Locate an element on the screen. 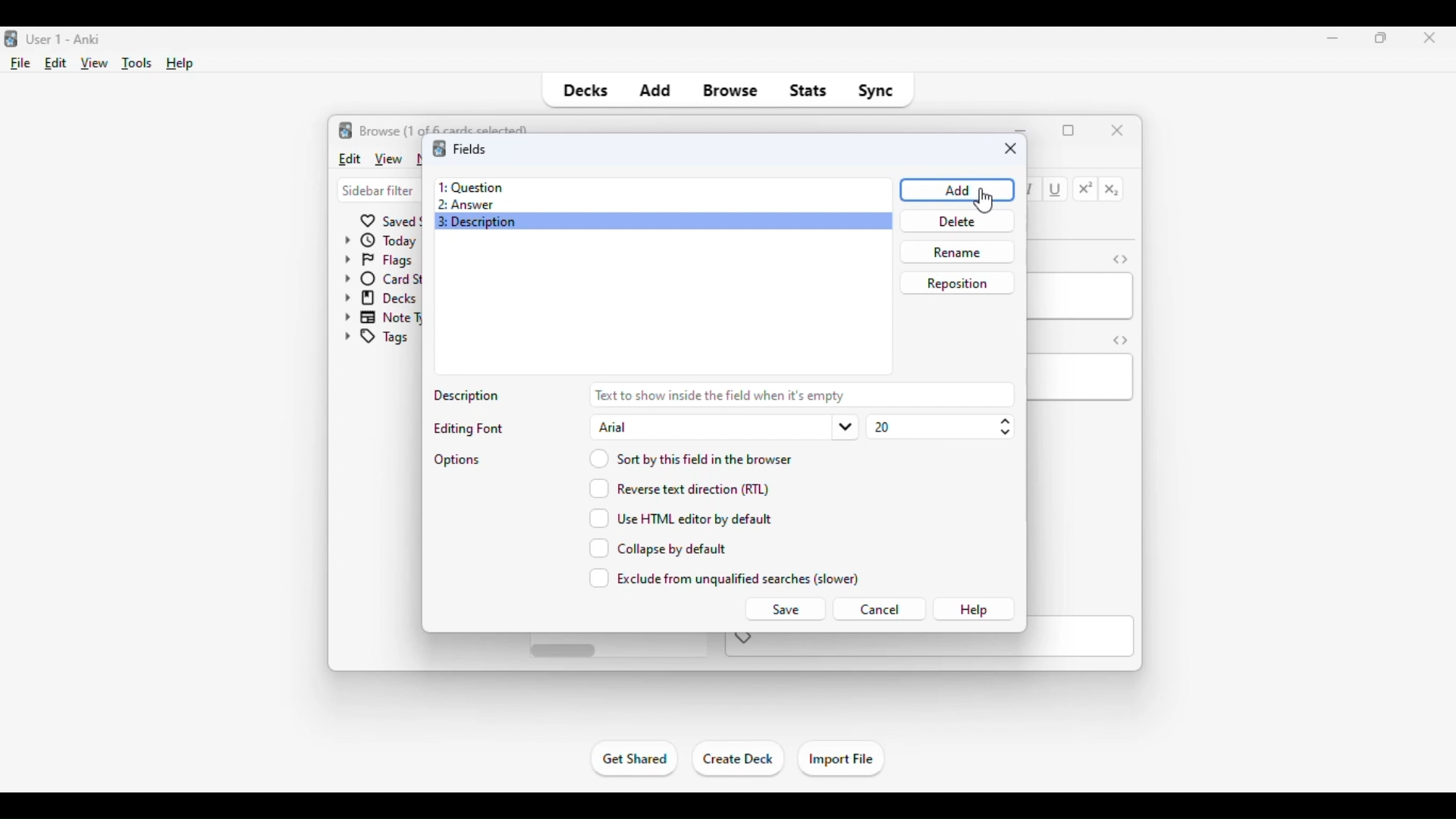 Image resolution: width=1456 pixels, height=819 pixels. help is located at coordinates (974, 610).